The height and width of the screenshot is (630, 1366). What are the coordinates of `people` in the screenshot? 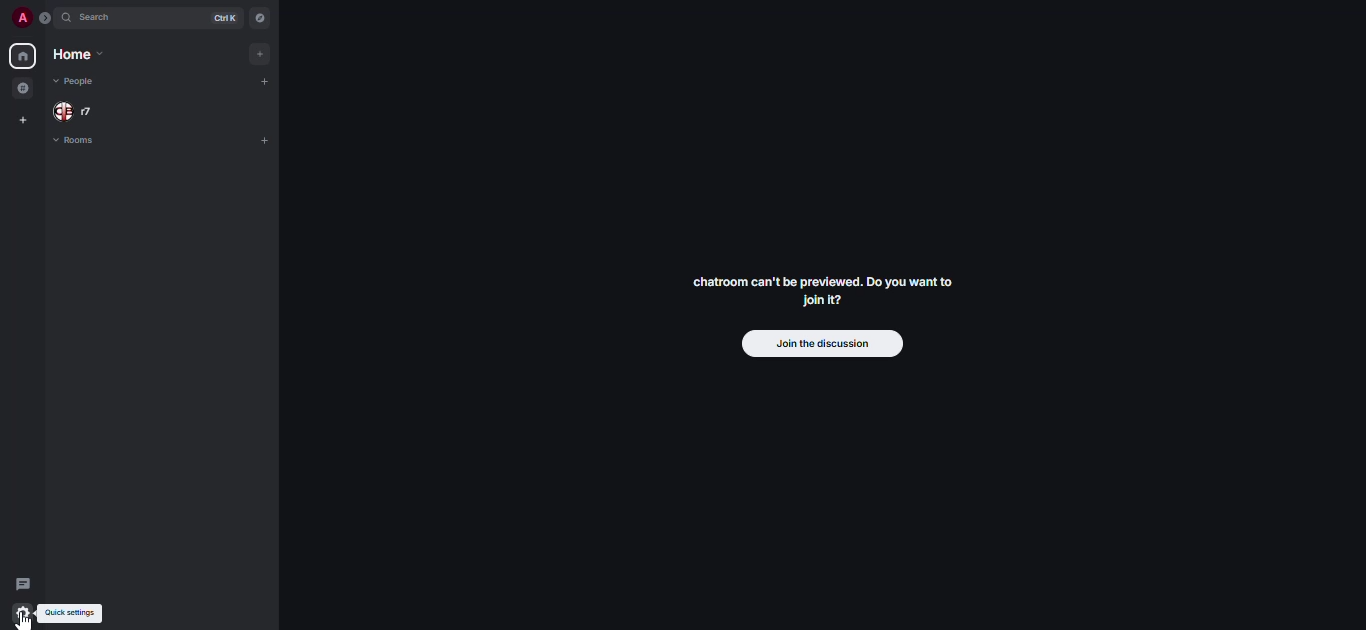 It's located at (77, 111).